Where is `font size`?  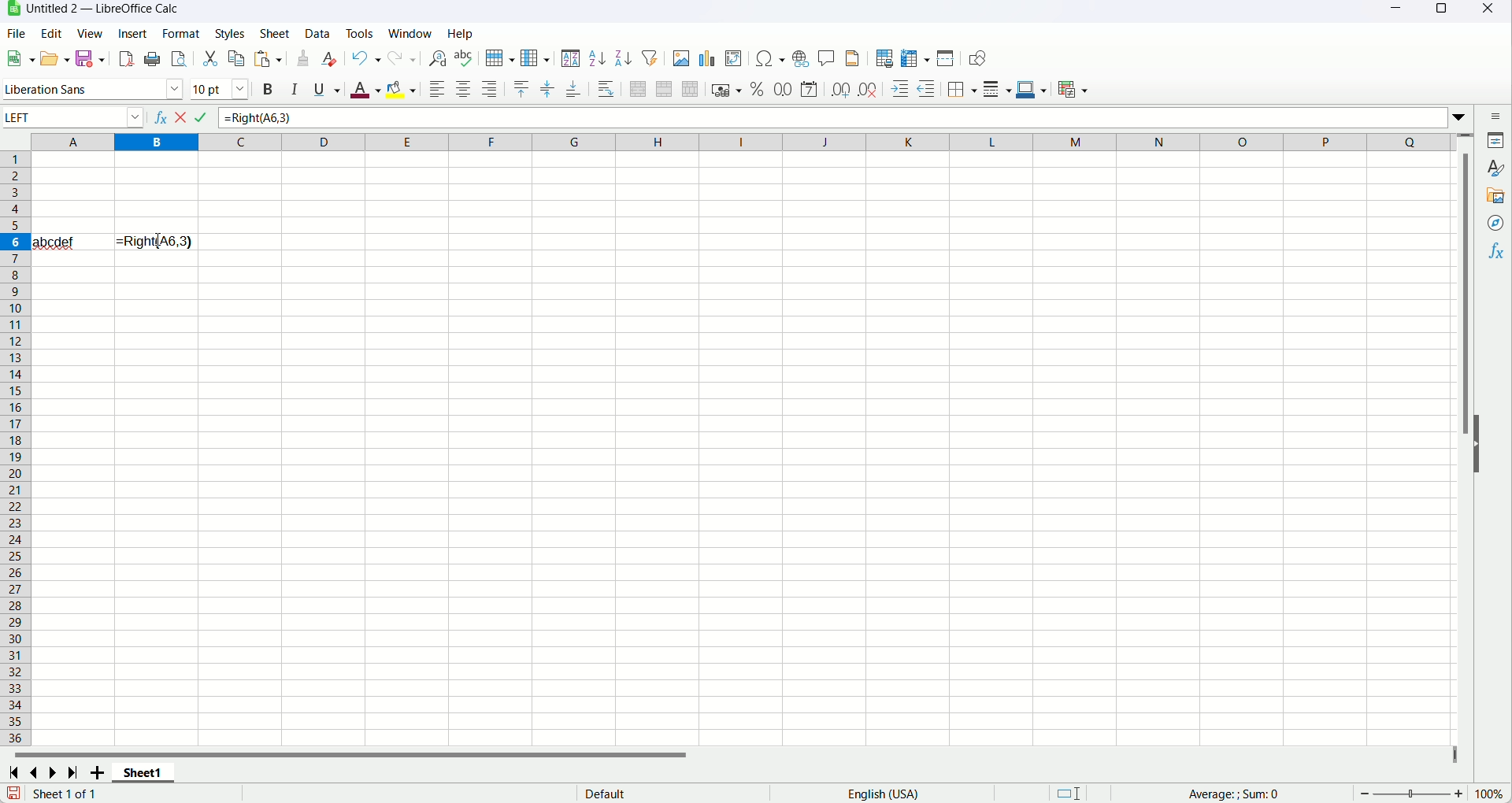
font size is located at coordinates (221, 88).